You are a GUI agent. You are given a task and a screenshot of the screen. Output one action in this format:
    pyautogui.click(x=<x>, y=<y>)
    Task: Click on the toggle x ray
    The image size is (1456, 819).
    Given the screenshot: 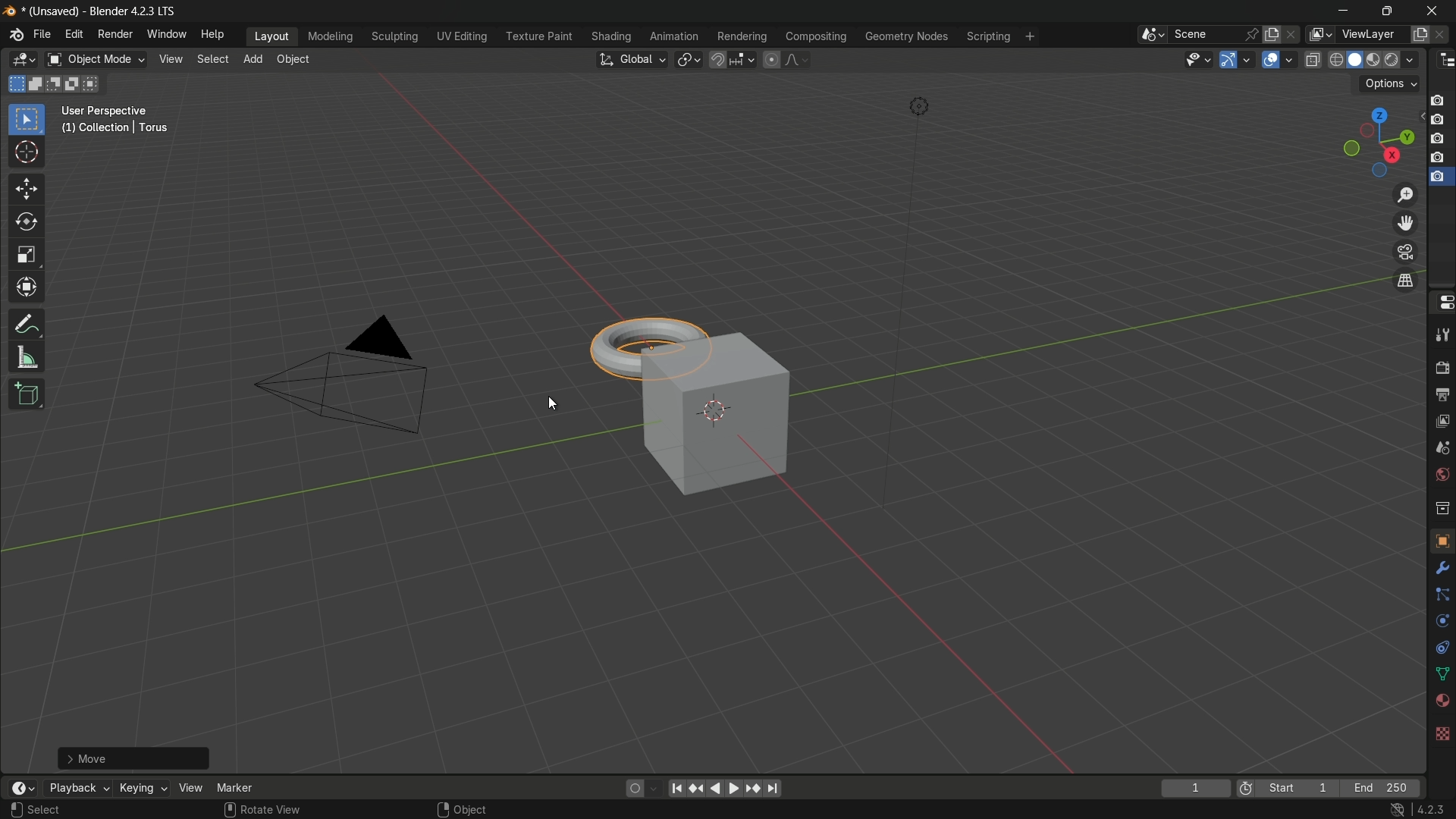 What is the action you would take?
    pyautogui.click(x=1313, y=59)
    